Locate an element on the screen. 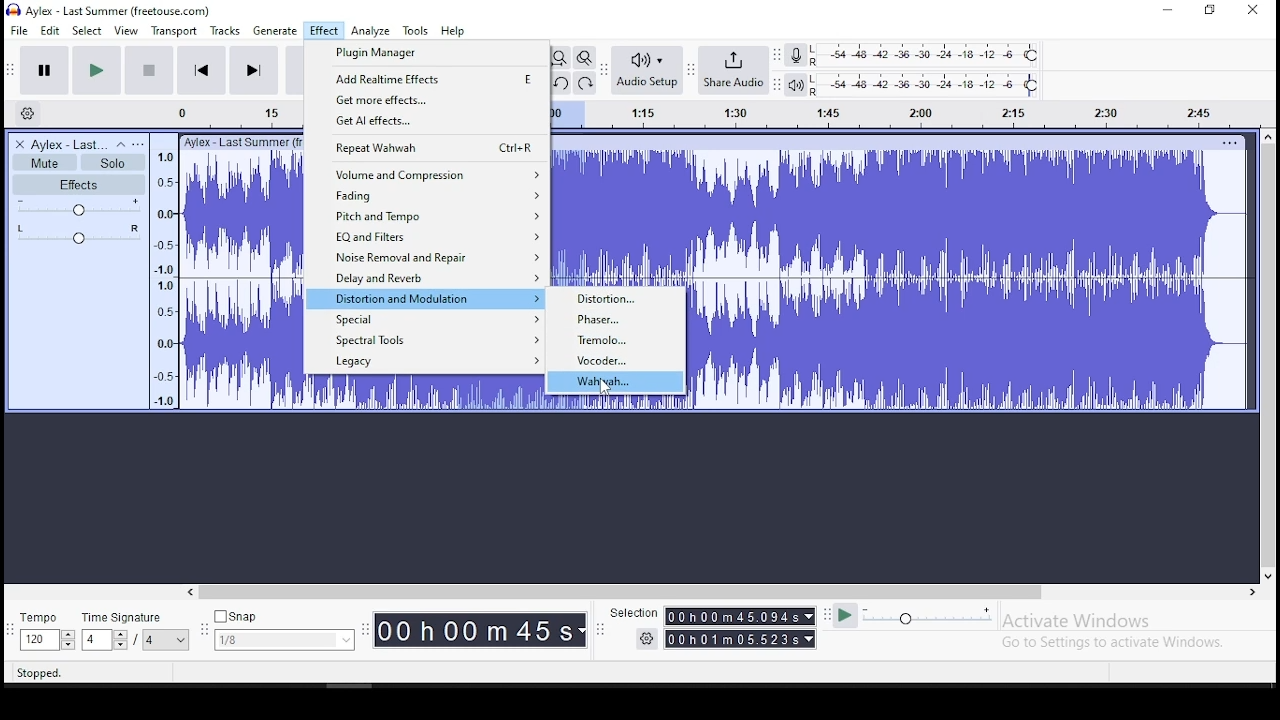  fading is located at coordinates (425, 195).